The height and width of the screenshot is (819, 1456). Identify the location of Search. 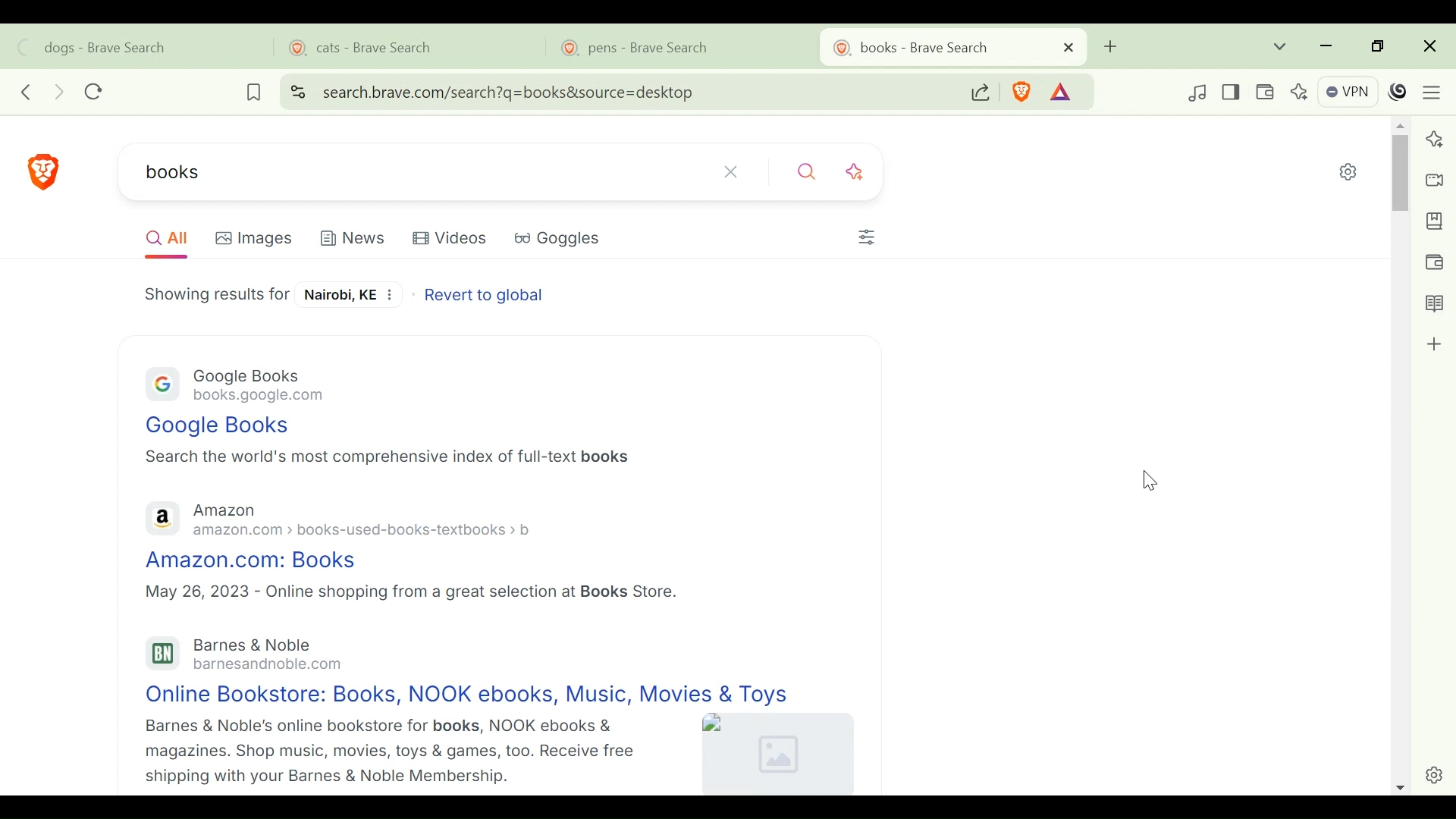
(793, 173).